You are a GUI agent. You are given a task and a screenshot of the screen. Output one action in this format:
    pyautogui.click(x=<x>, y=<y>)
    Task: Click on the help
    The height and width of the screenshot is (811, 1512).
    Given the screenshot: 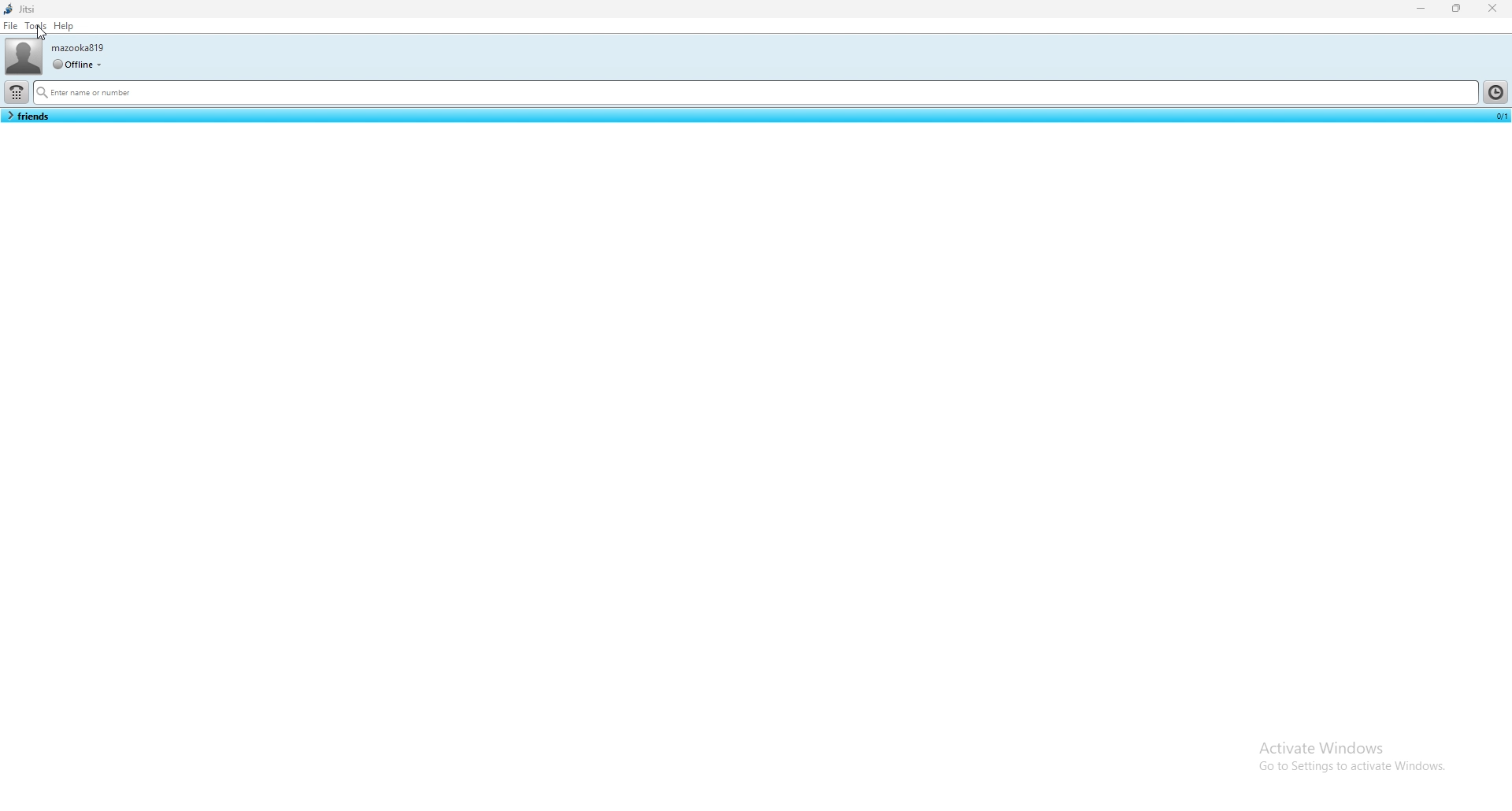 What is the action you would take?
    pyautogui.click(x=65, y=26)
    